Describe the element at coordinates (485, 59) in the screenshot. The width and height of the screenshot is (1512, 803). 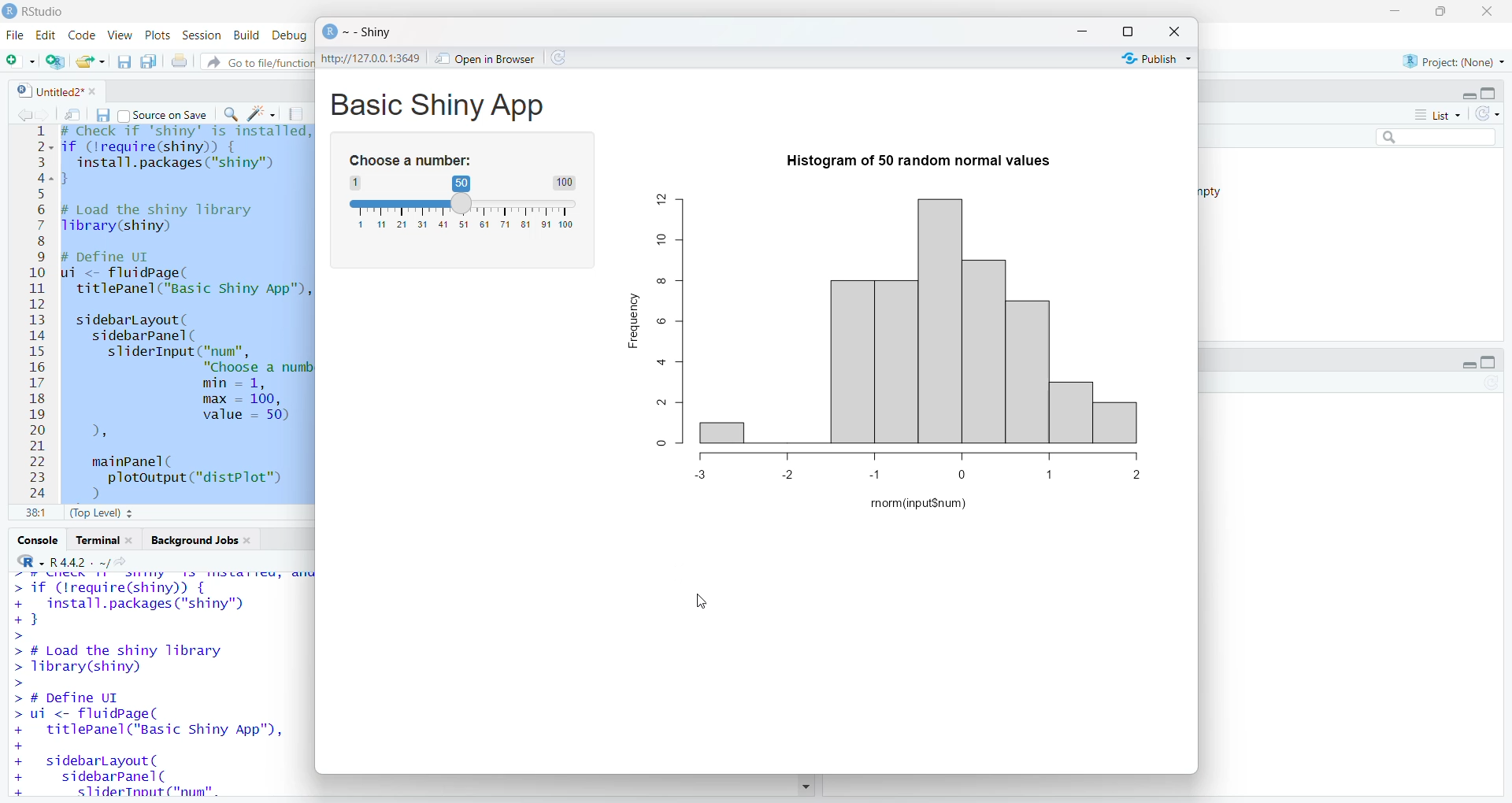
I see `Open in browser` at that location.